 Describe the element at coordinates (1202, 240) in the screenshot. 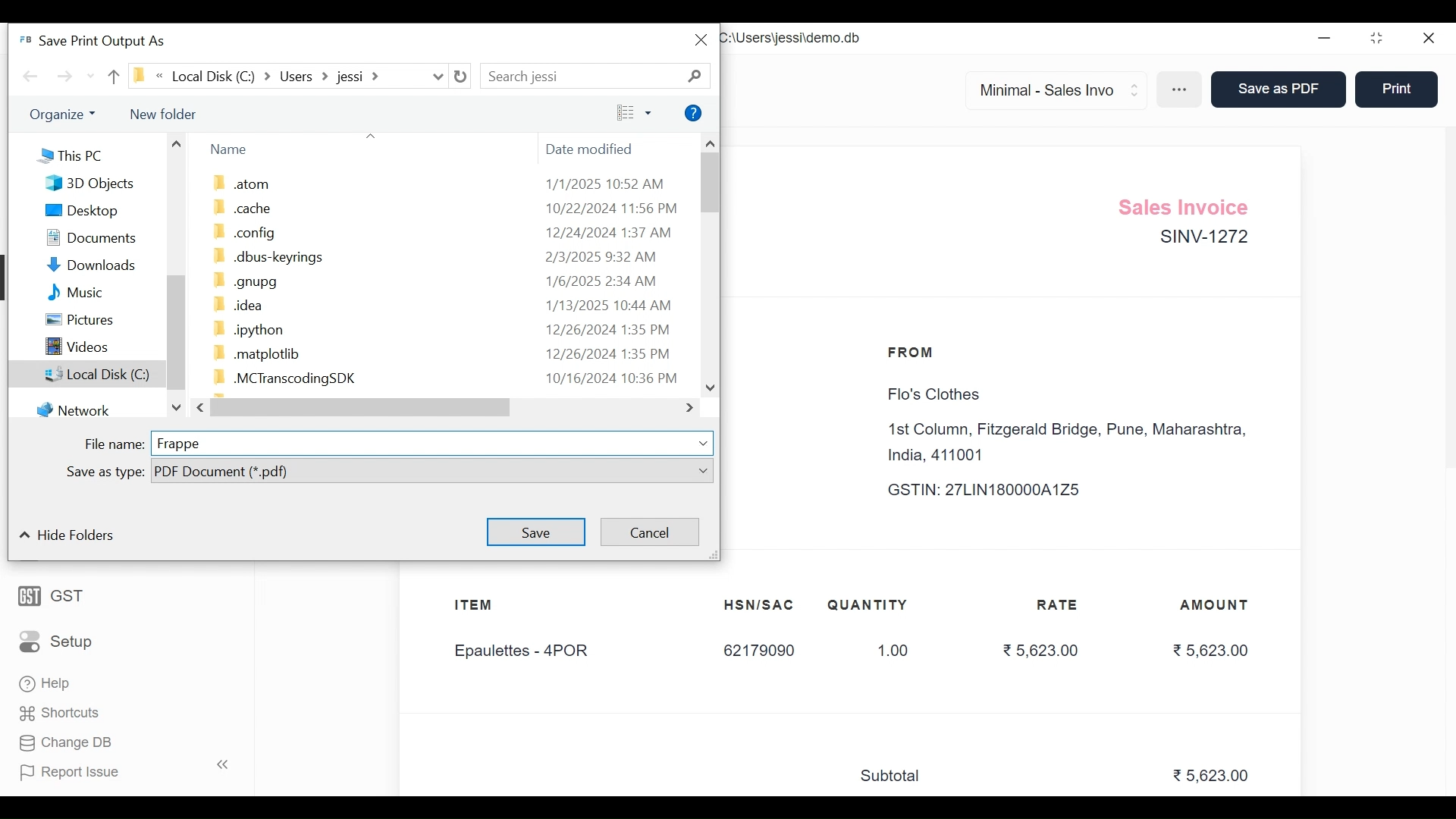

I see `SINV-1272` at that location.